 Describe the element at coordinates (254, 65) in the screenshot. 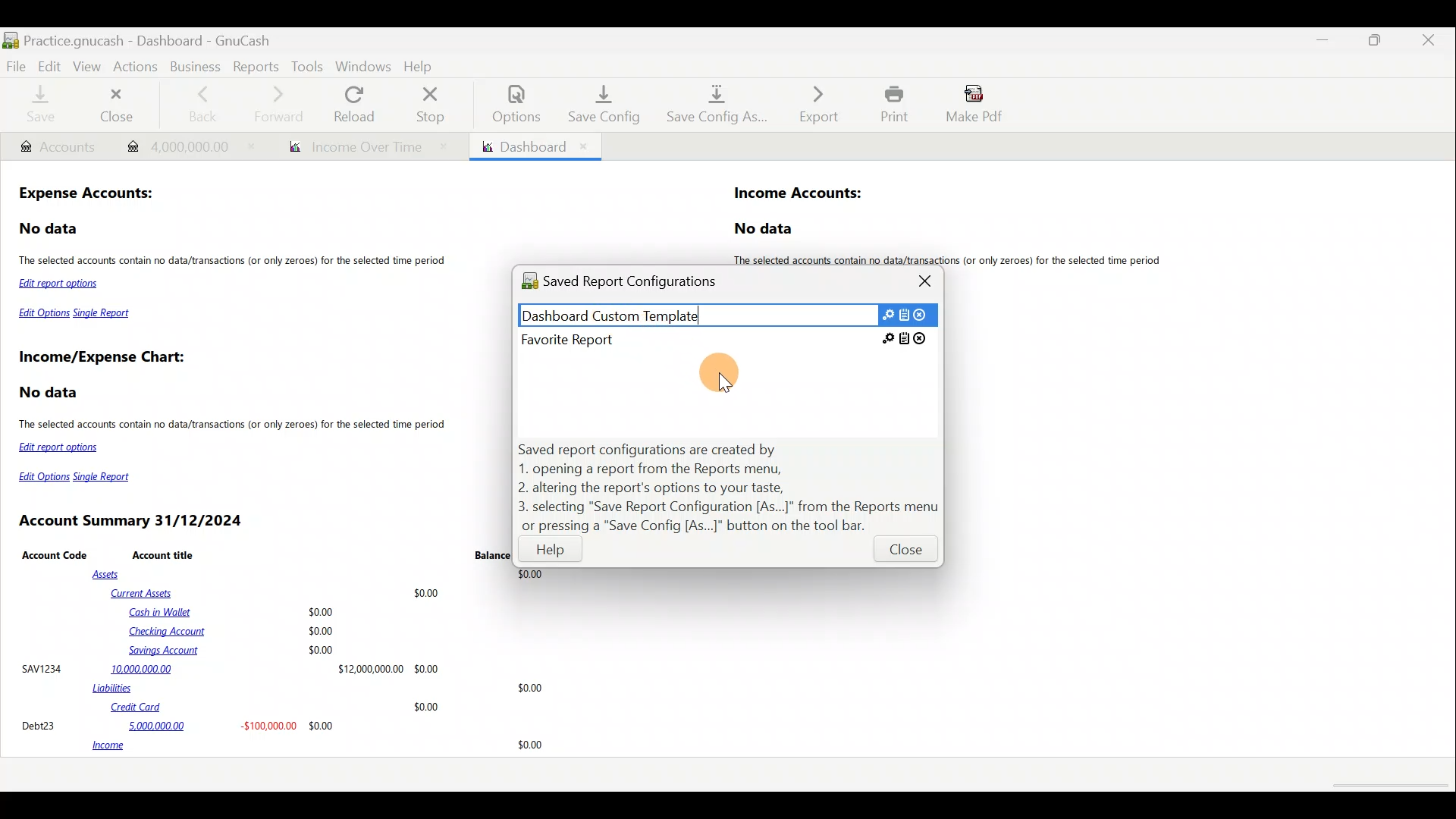

I see `Reports` at that location.